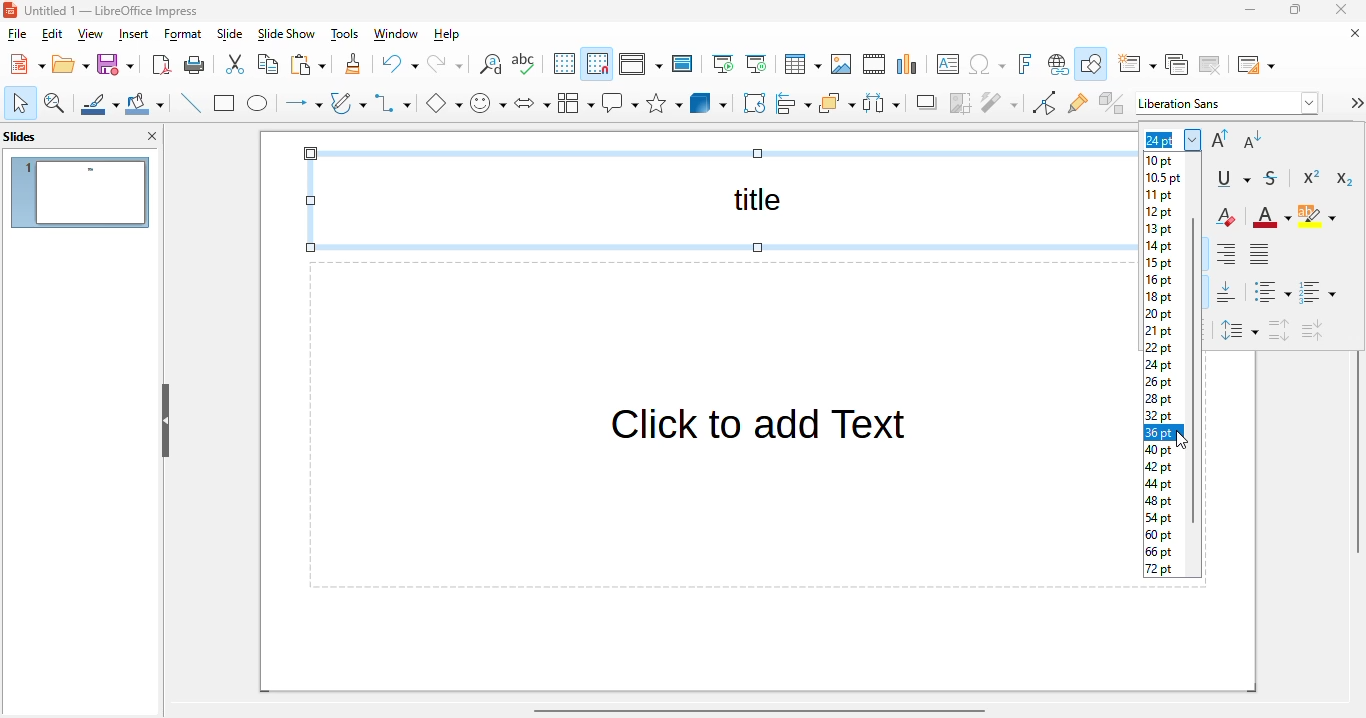  I want to click on basic shapes, so click(444, 103).